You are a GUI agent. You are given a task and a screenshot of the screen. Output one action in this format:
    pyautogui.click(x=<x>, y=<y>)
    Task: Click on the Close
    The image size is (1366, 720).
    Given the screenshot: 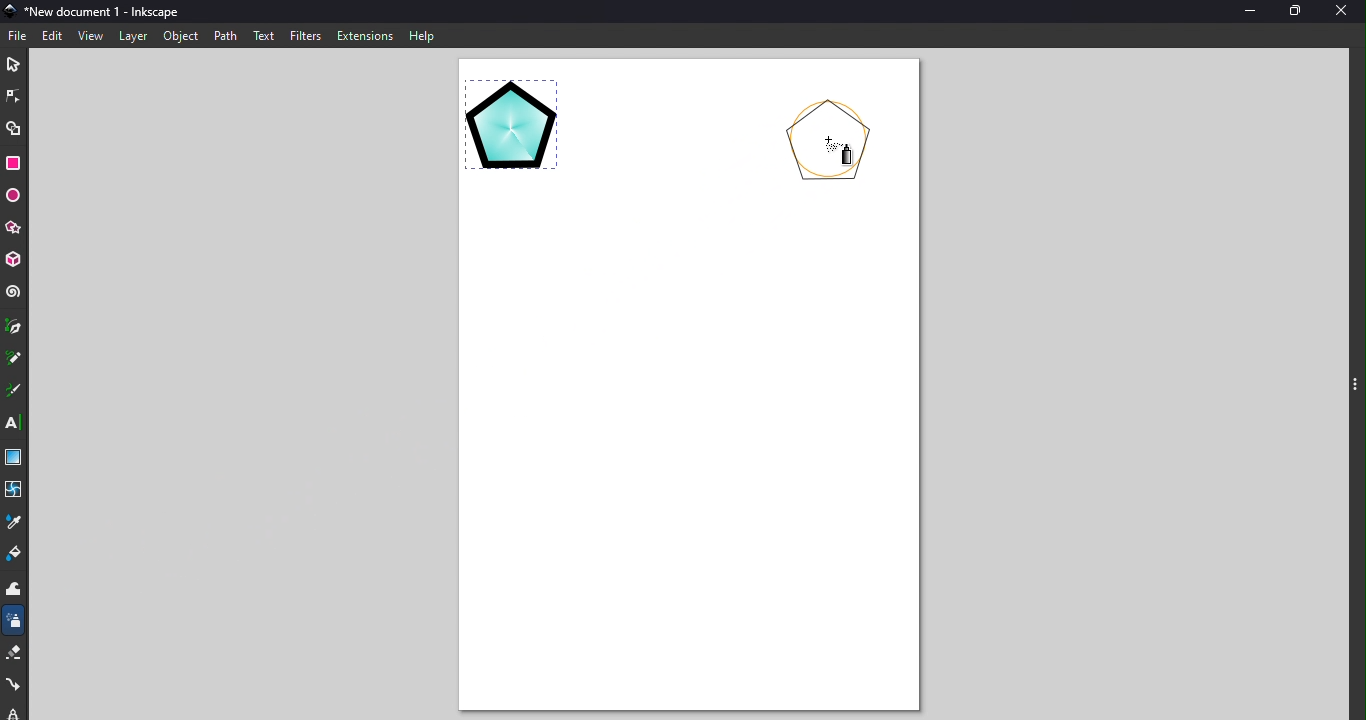 What is the action you would take?
    pyautogui.click(x=1345, y=11)
    